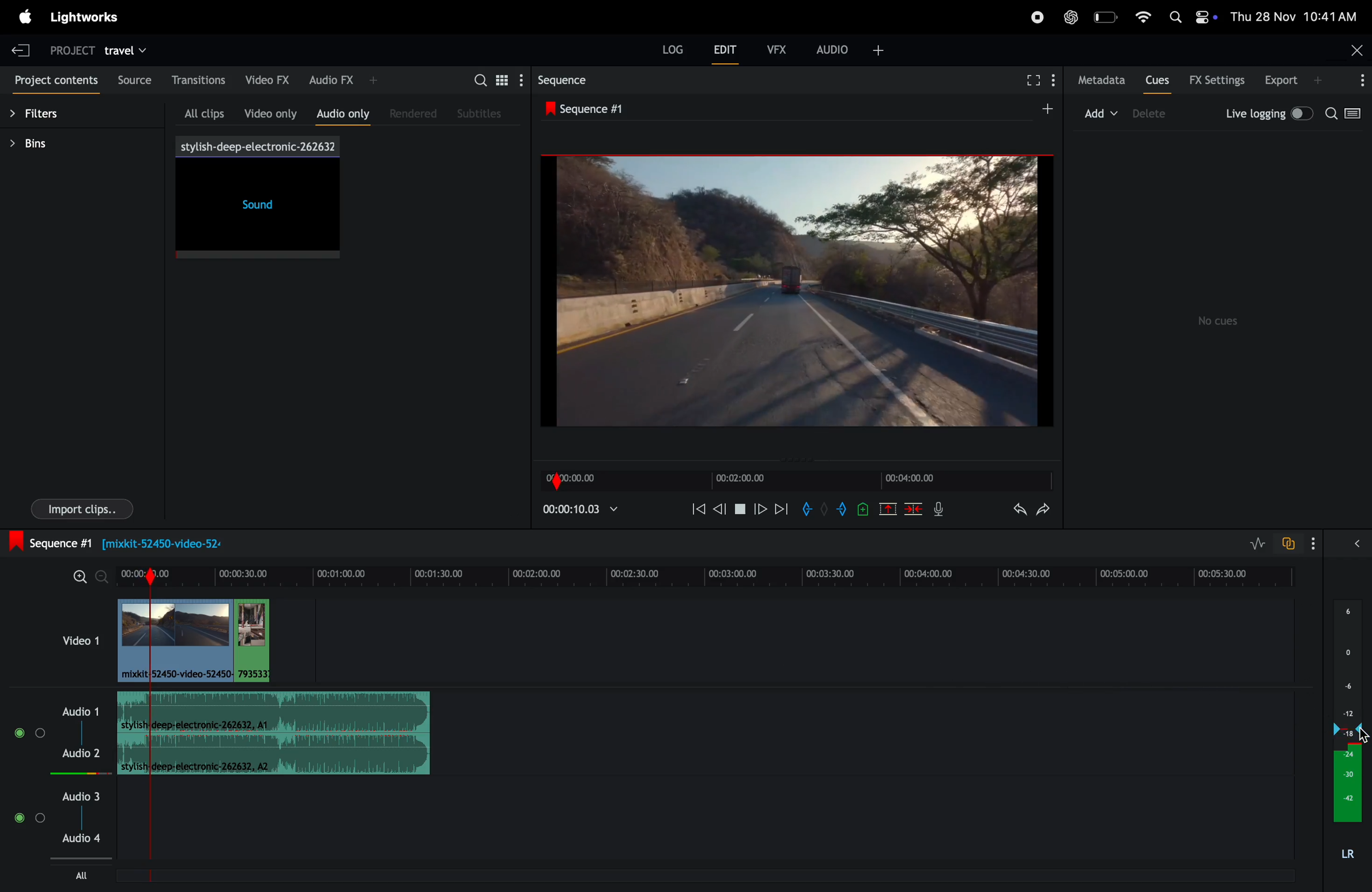  I want to click on toggle editing layers, so click(1257, 543).